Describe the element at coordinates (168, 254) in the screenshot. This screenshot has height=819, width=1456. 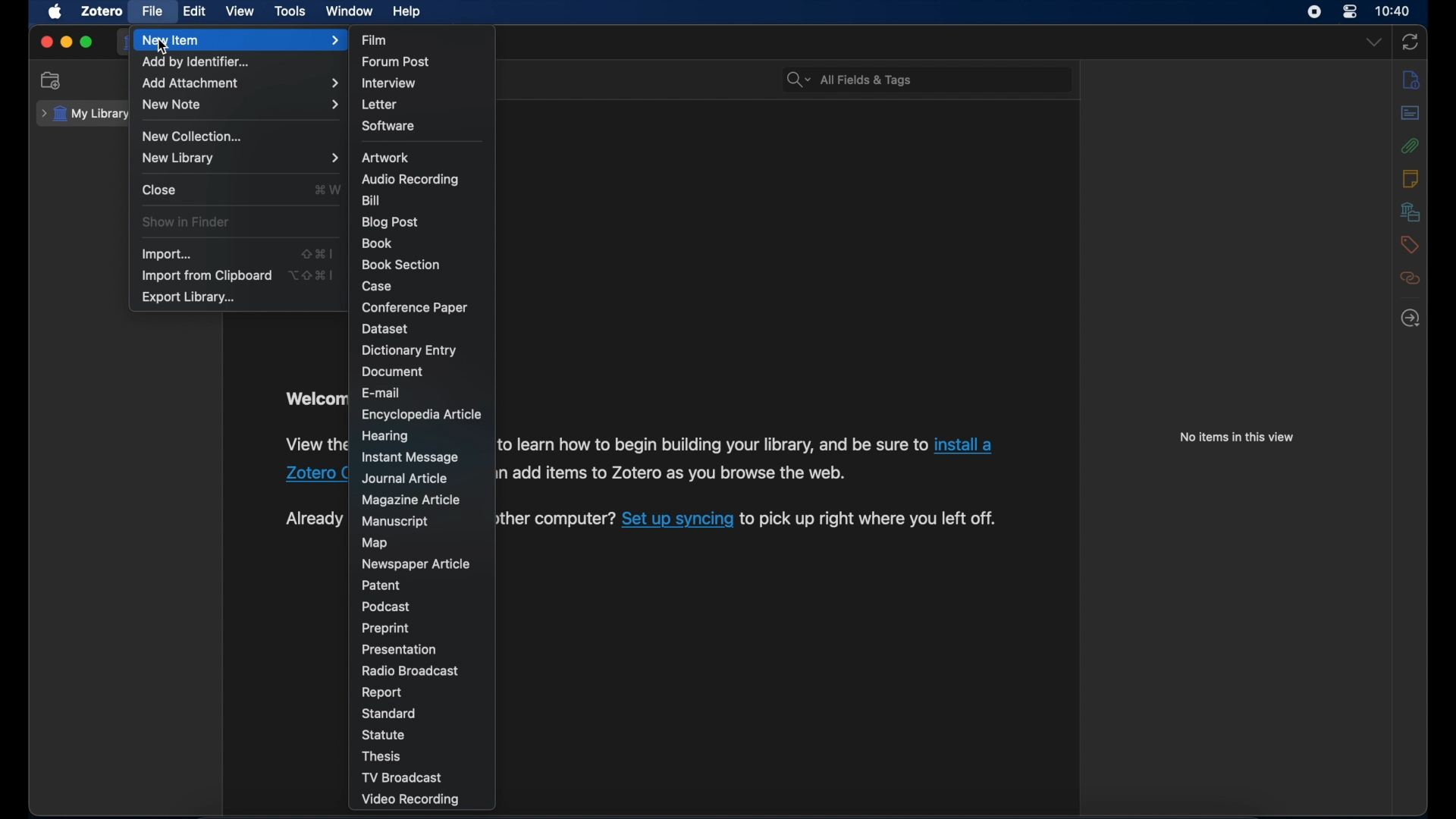
I see `import` at that location.